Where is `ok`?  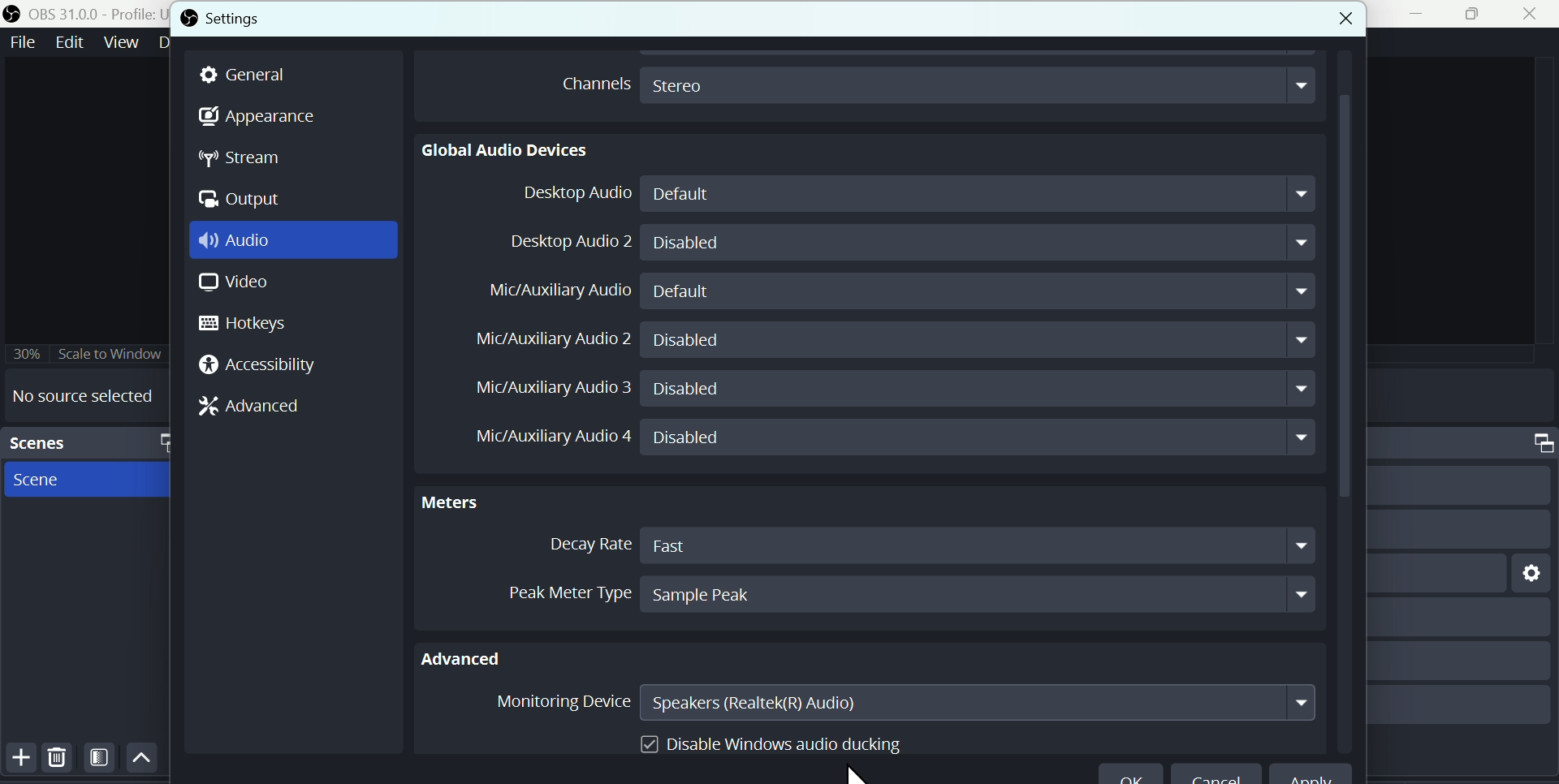 ok is located at coordinates (1130, 776).